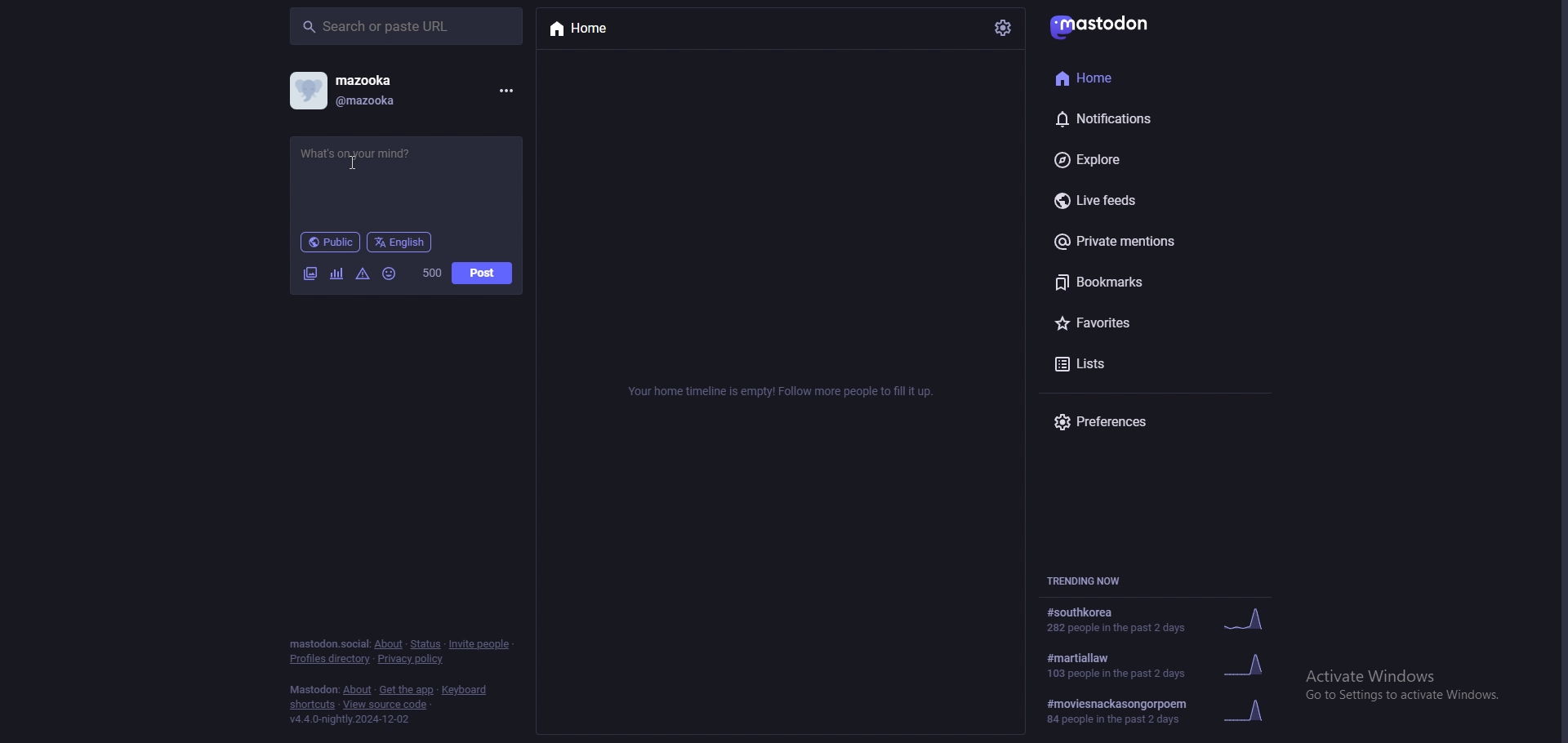 This screenshot has width=1568, height=743. I want to click on emoji, so click(388, 274).